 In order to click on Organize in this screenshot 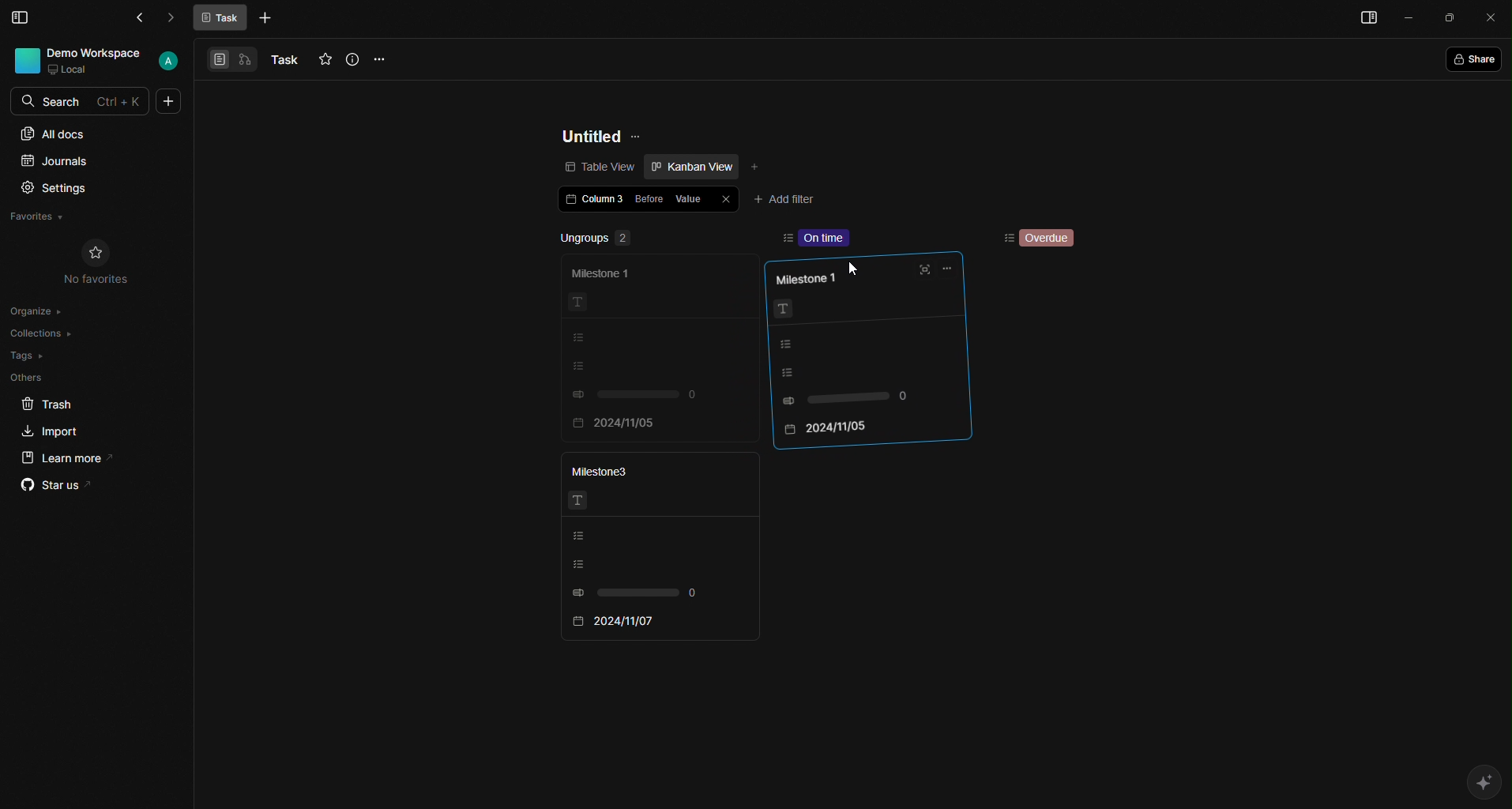, I will do `click(41, 310)`.